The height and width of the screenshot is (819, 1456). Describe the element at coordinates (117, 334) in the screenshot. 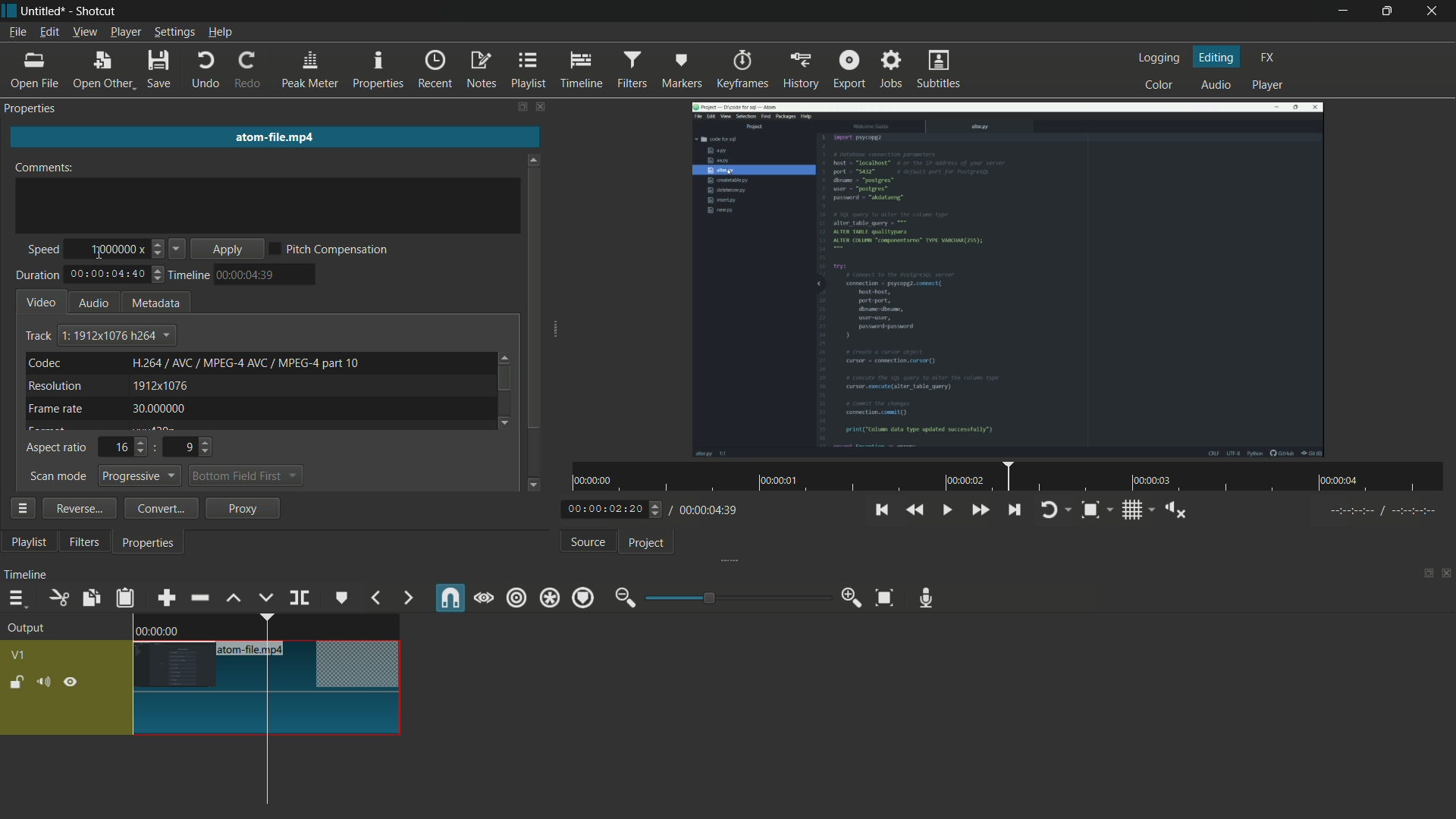

I see `text` at that location.